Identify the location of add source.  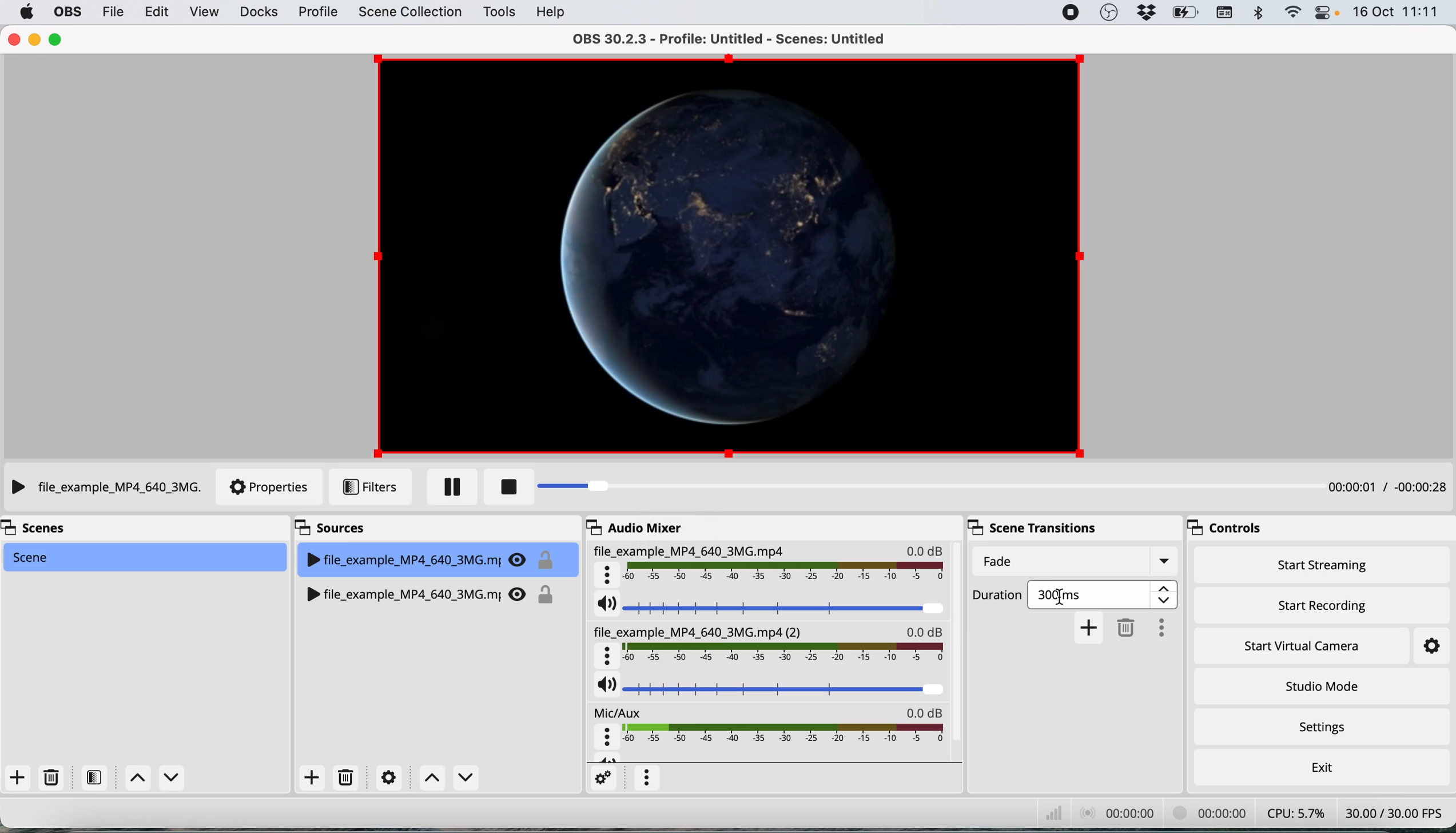
(310, 778).